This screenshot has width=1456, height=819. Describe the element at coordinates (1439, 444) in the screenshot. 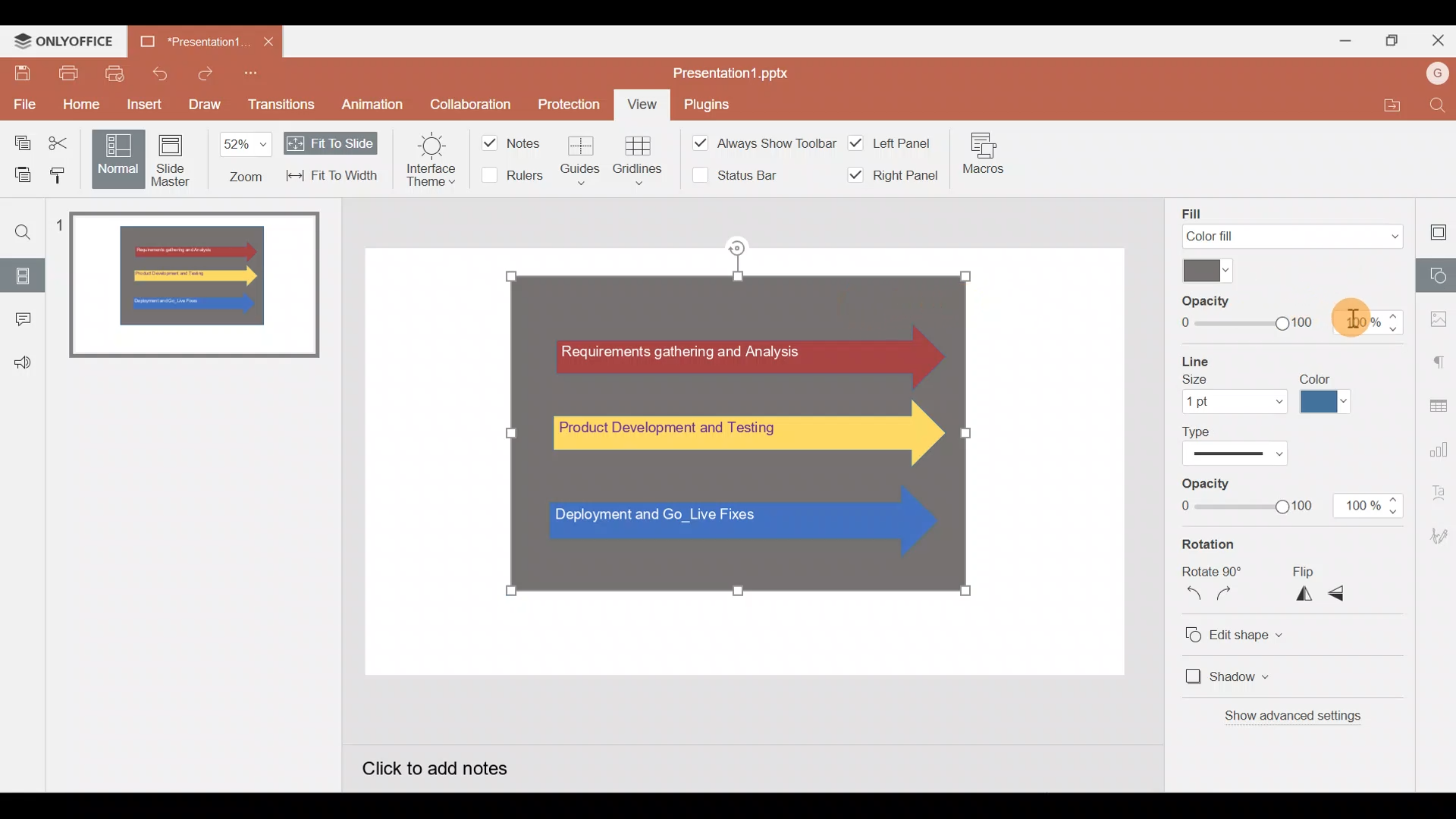

I see `Chart settings` at that location.